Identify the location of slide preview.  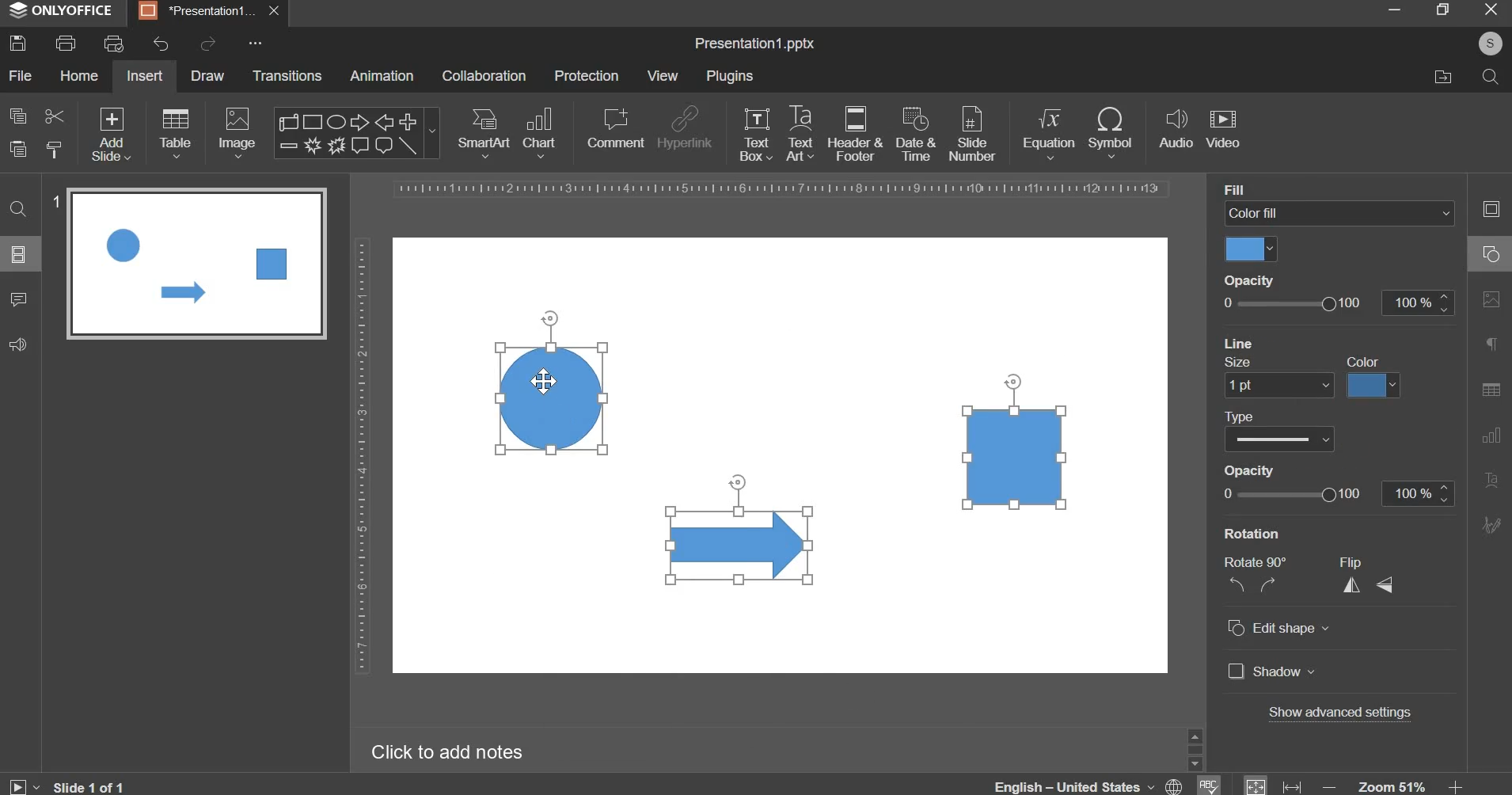
(196, 263).